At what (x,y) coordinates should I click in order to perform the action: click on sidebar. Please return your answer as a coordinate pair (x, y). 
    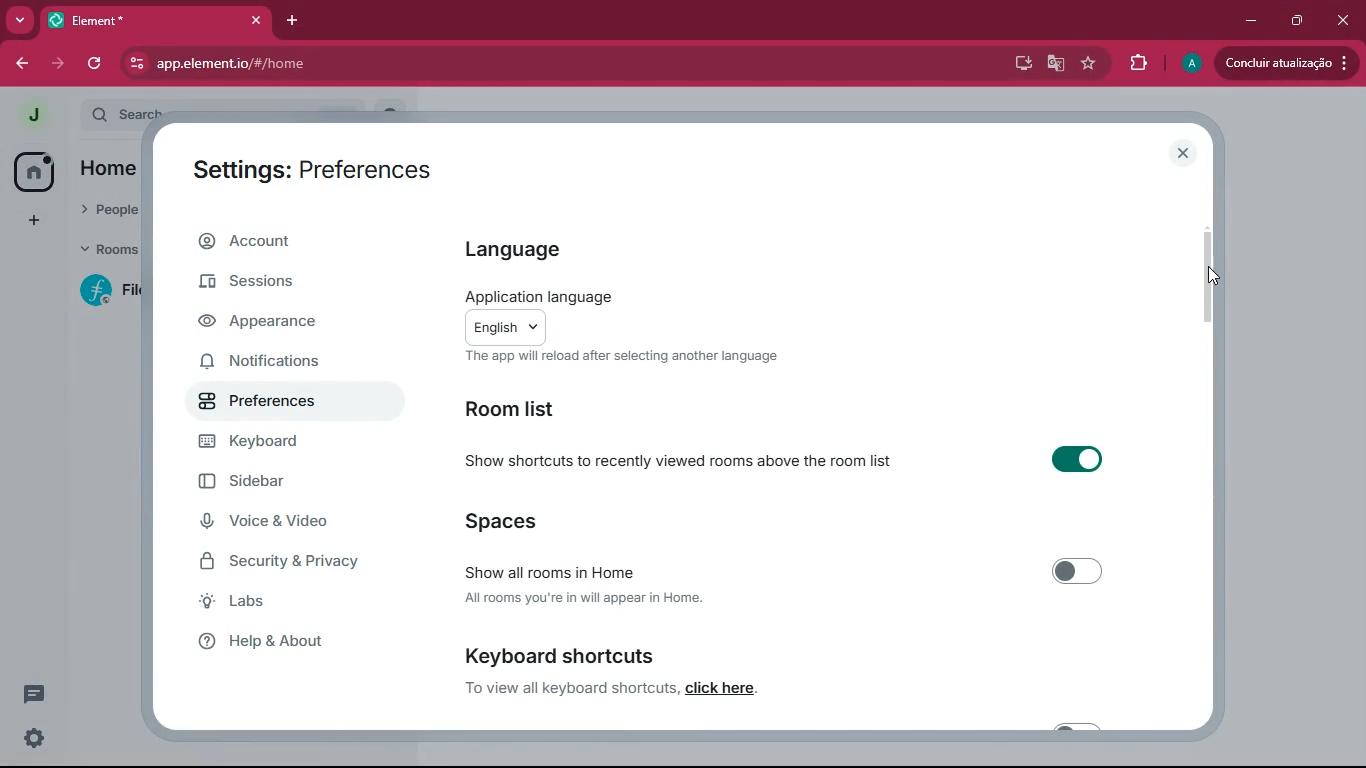
    Looking at the image, I should click on (275, 483).